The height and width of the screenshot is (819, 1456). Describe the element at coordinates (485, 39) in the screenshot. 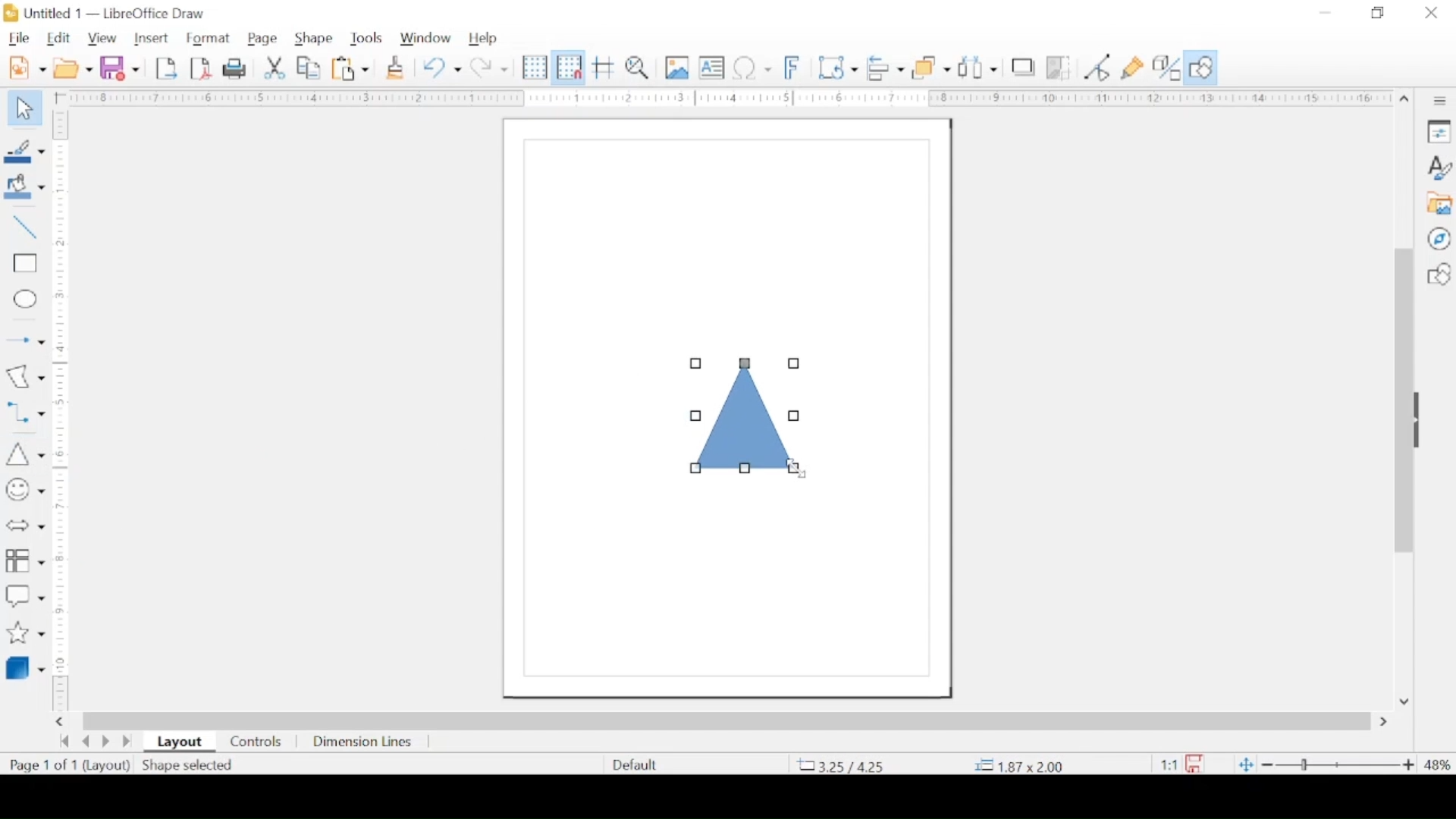

I see `help` at that location.